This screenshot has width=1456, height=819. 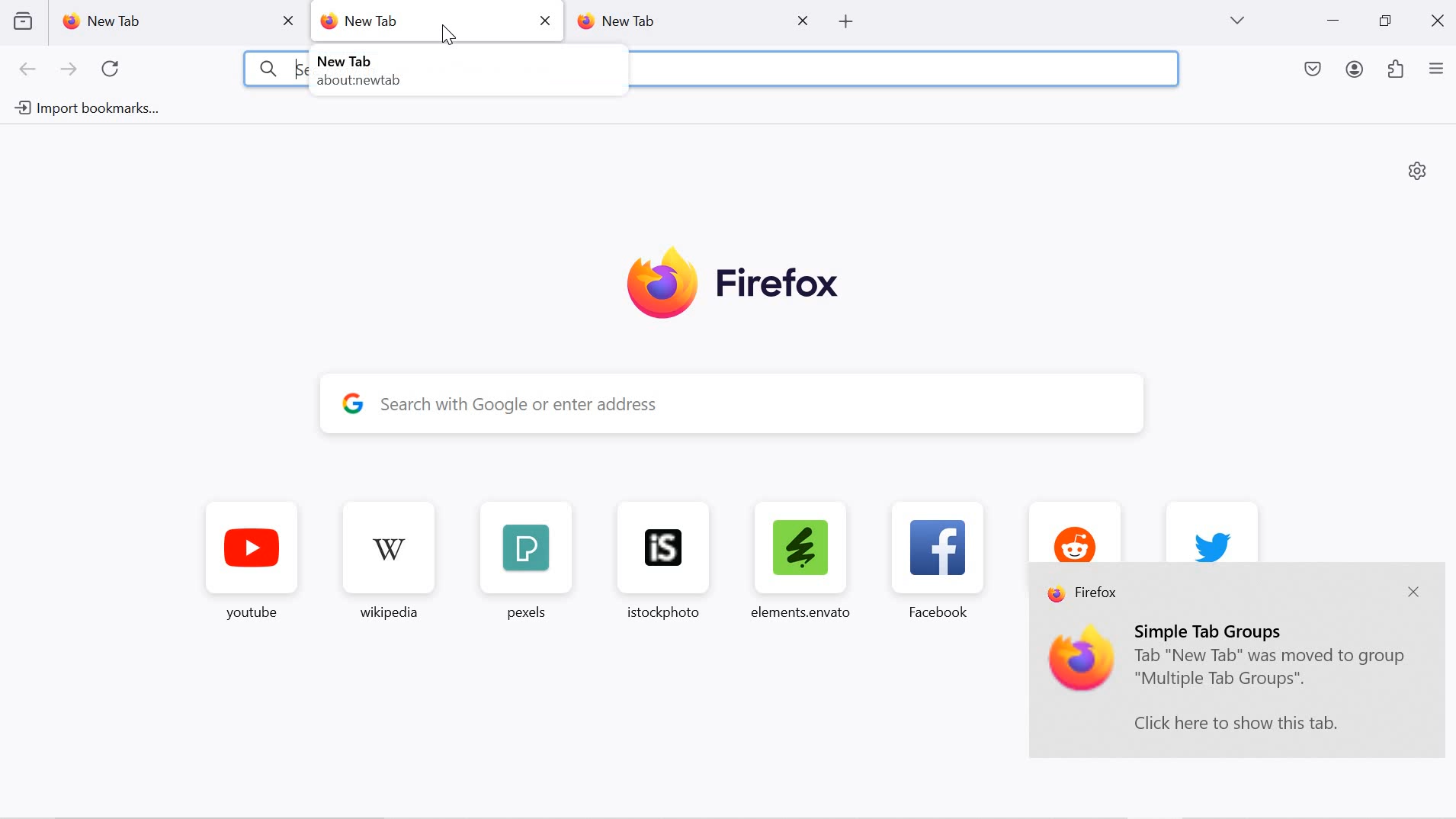 What do you see at coordinates (844, 21) in the screenshot?
I see `open new tab` at bounding box center [844, 21].